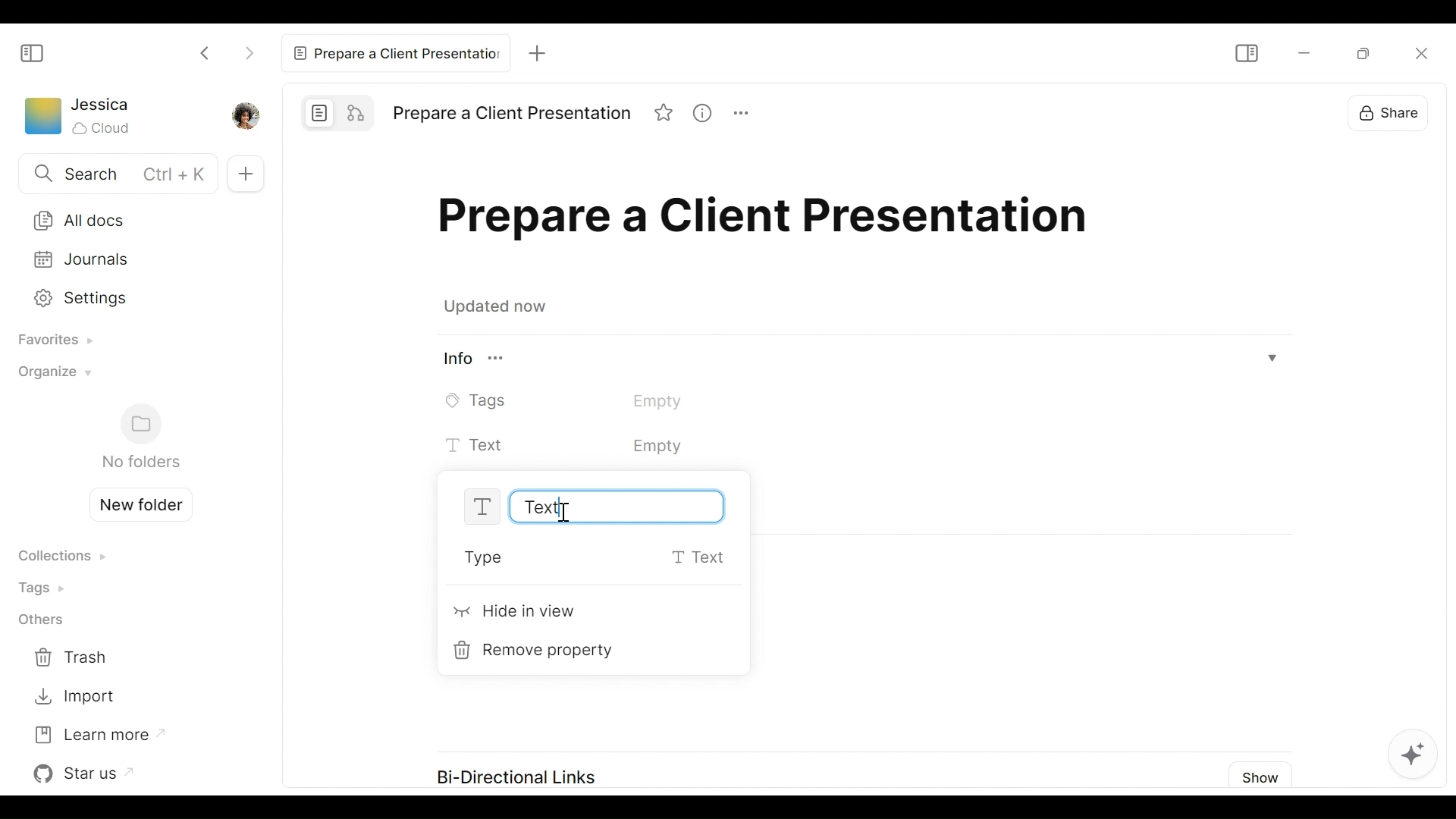 Image resolution: width=1456 pixels, height=819 pixels. I want to click on Settings, so click(127, 296).